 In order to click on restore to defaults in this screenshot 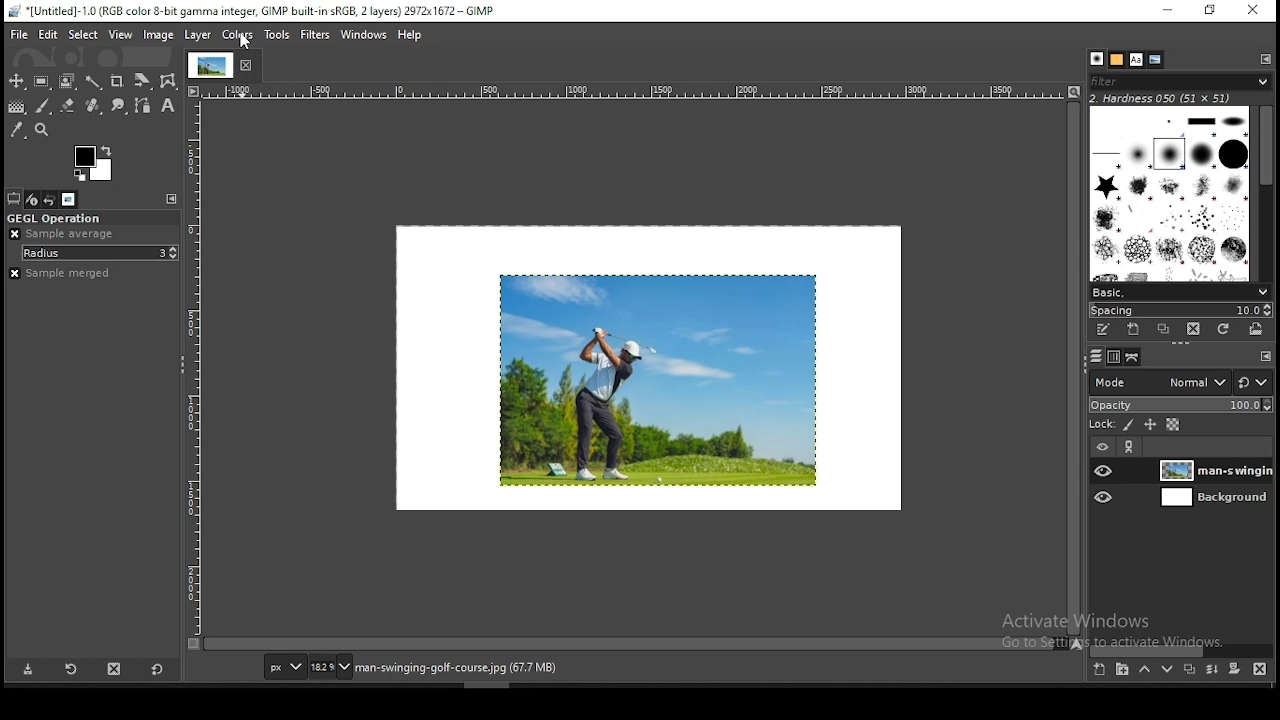, I will do `click(156, 669)`.